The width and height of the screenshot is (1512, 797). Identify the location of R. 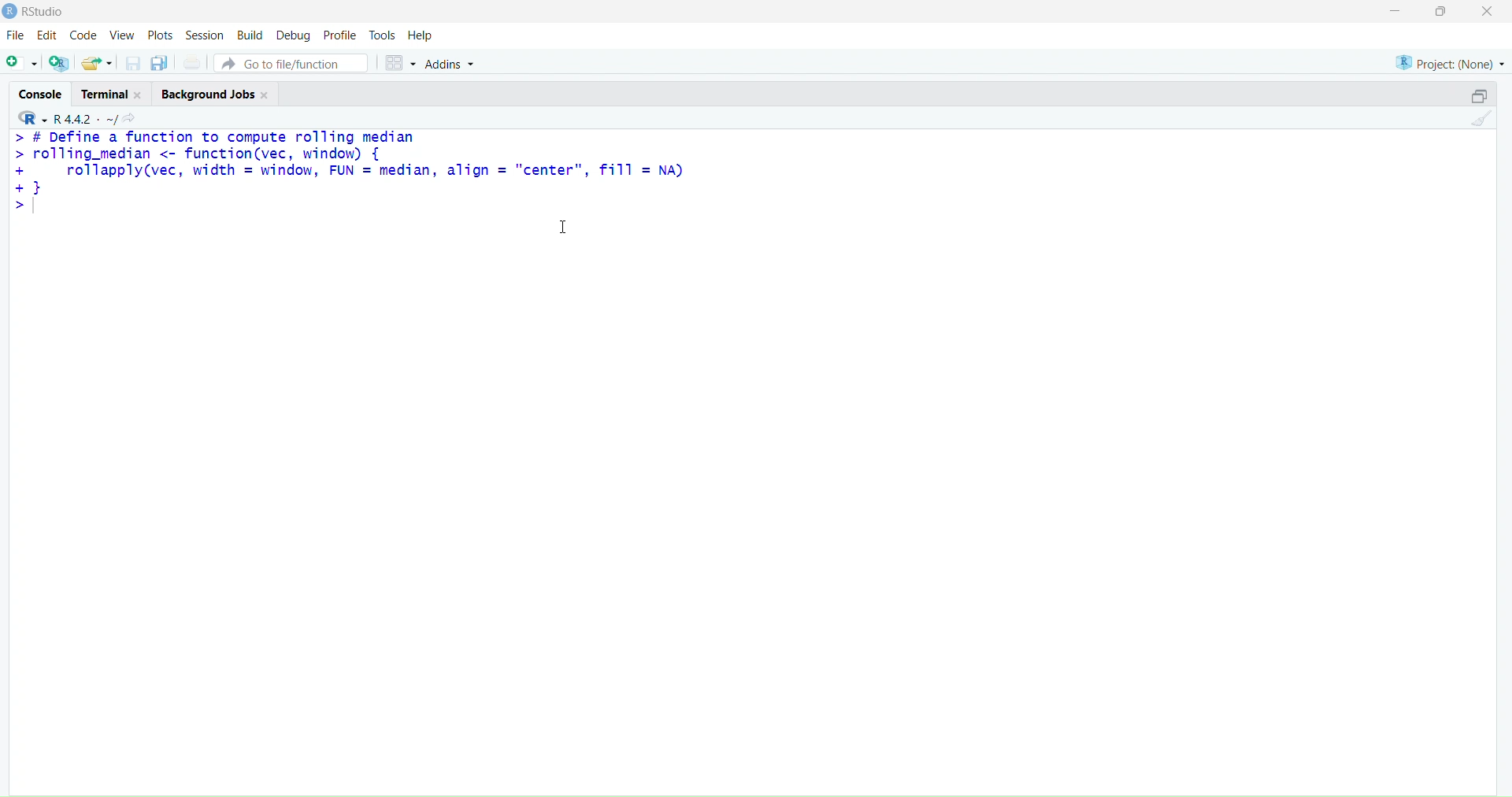
(33, 117).